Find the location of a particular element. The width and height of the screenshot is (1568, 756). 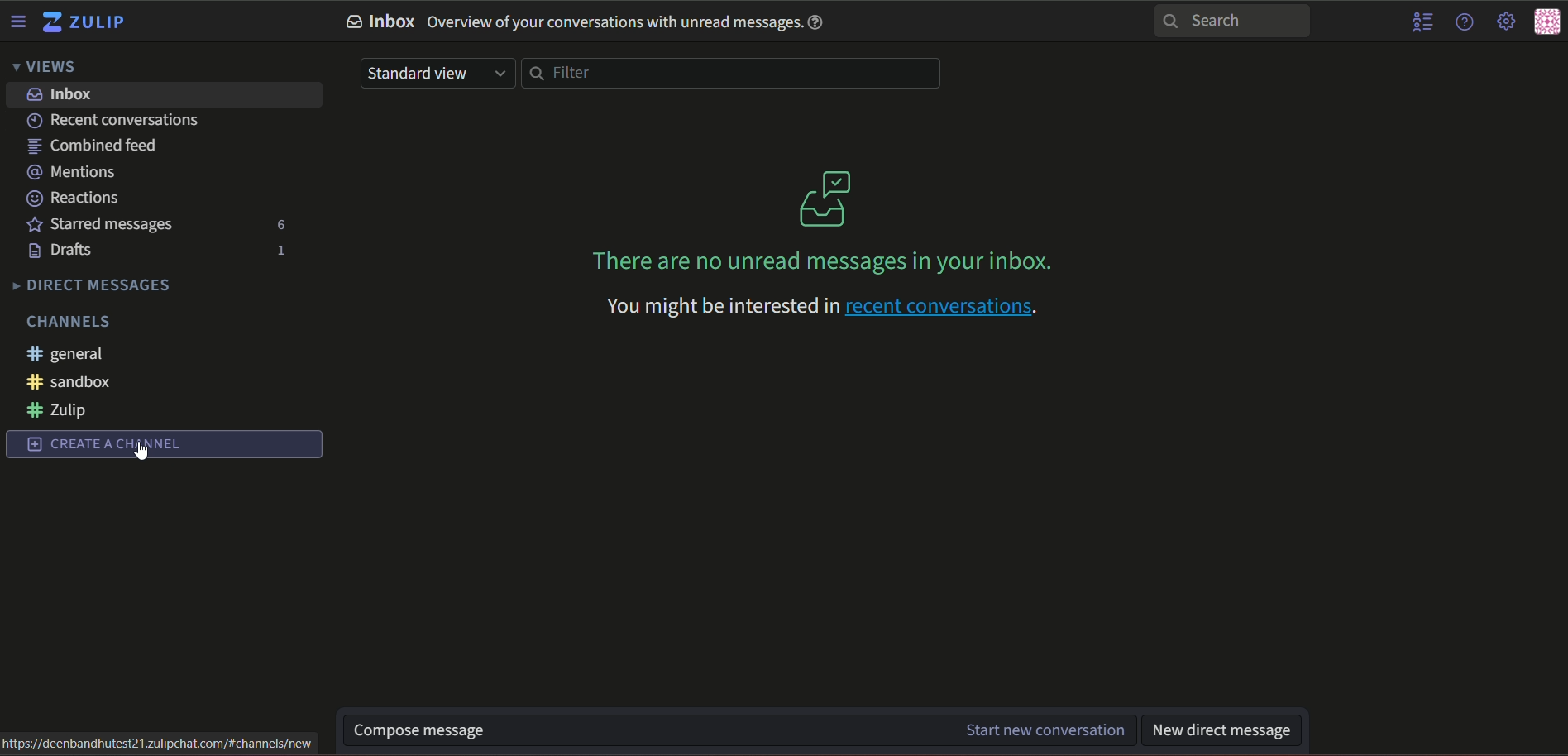

compose message is located at coordinates (741, 730).